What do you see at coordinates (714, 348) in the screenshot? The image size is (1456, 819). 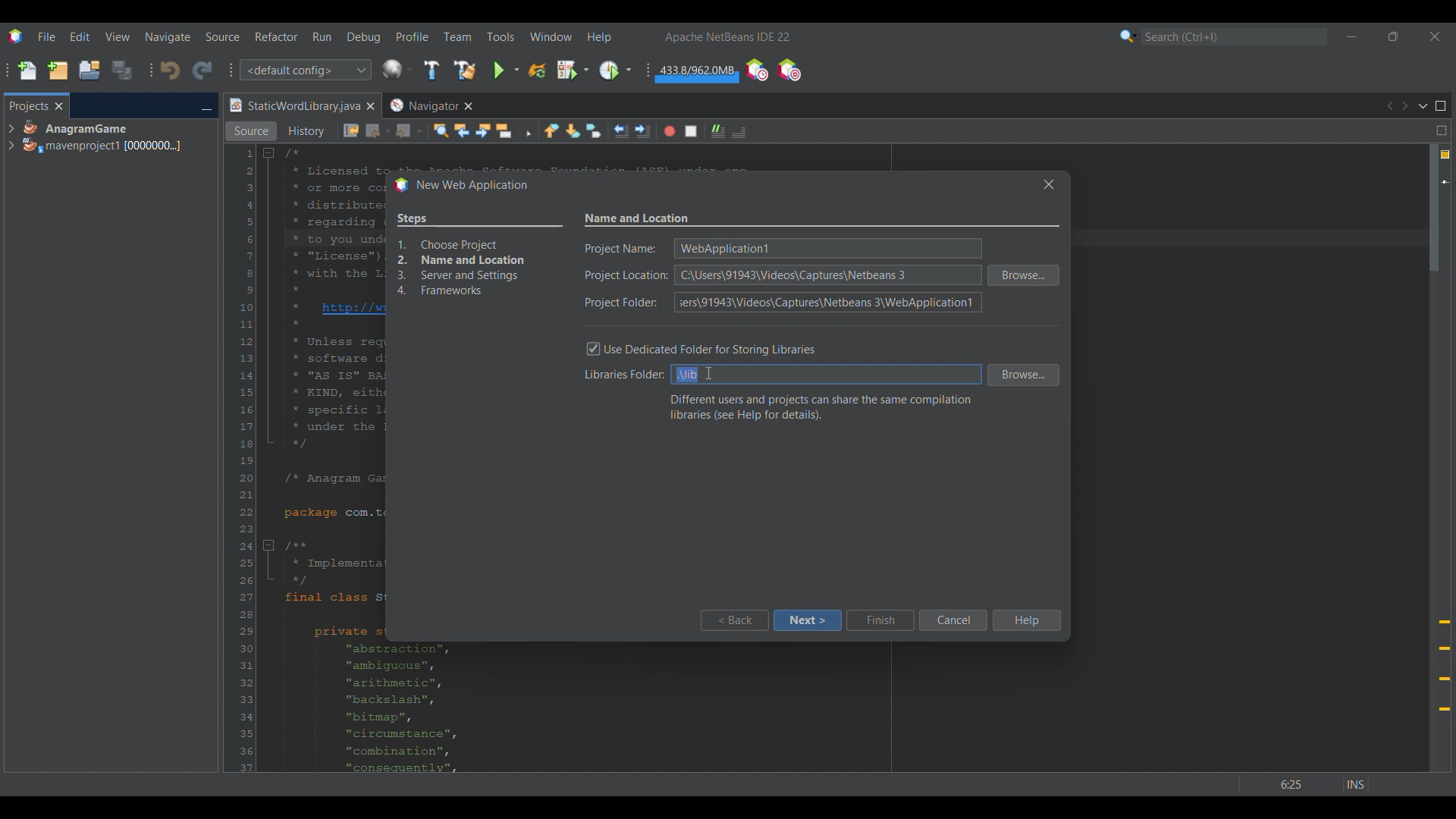 I see `Toggle for dedicated folder` at bounding box center [714, 348].